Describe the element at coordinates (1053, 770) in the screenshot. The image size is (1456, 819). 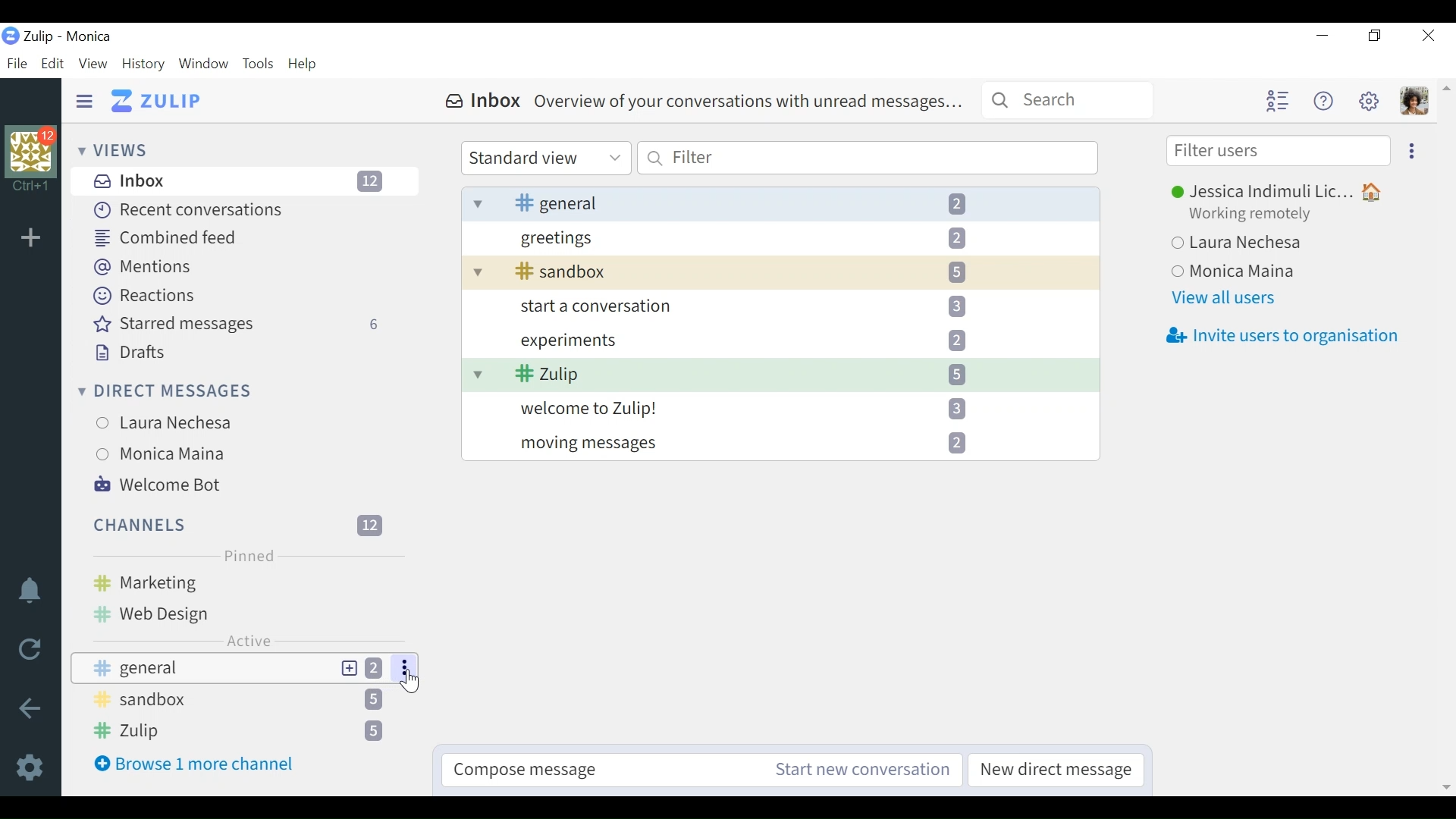
I see `New direct messages` at that location.